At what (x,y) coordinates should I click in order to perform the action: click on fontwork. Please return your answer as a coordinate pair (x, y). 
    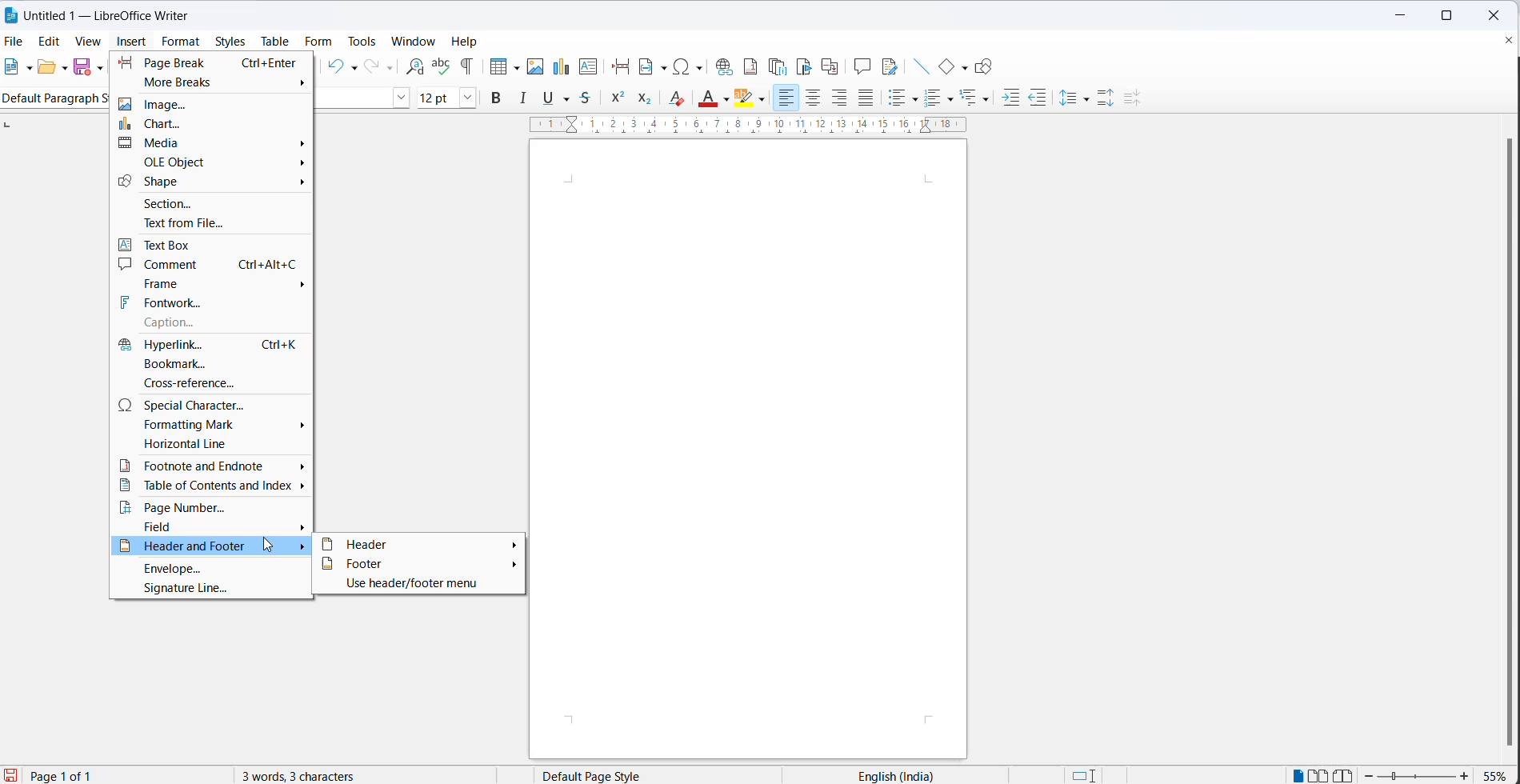
    Looking at the image, I should click on (211, 303).